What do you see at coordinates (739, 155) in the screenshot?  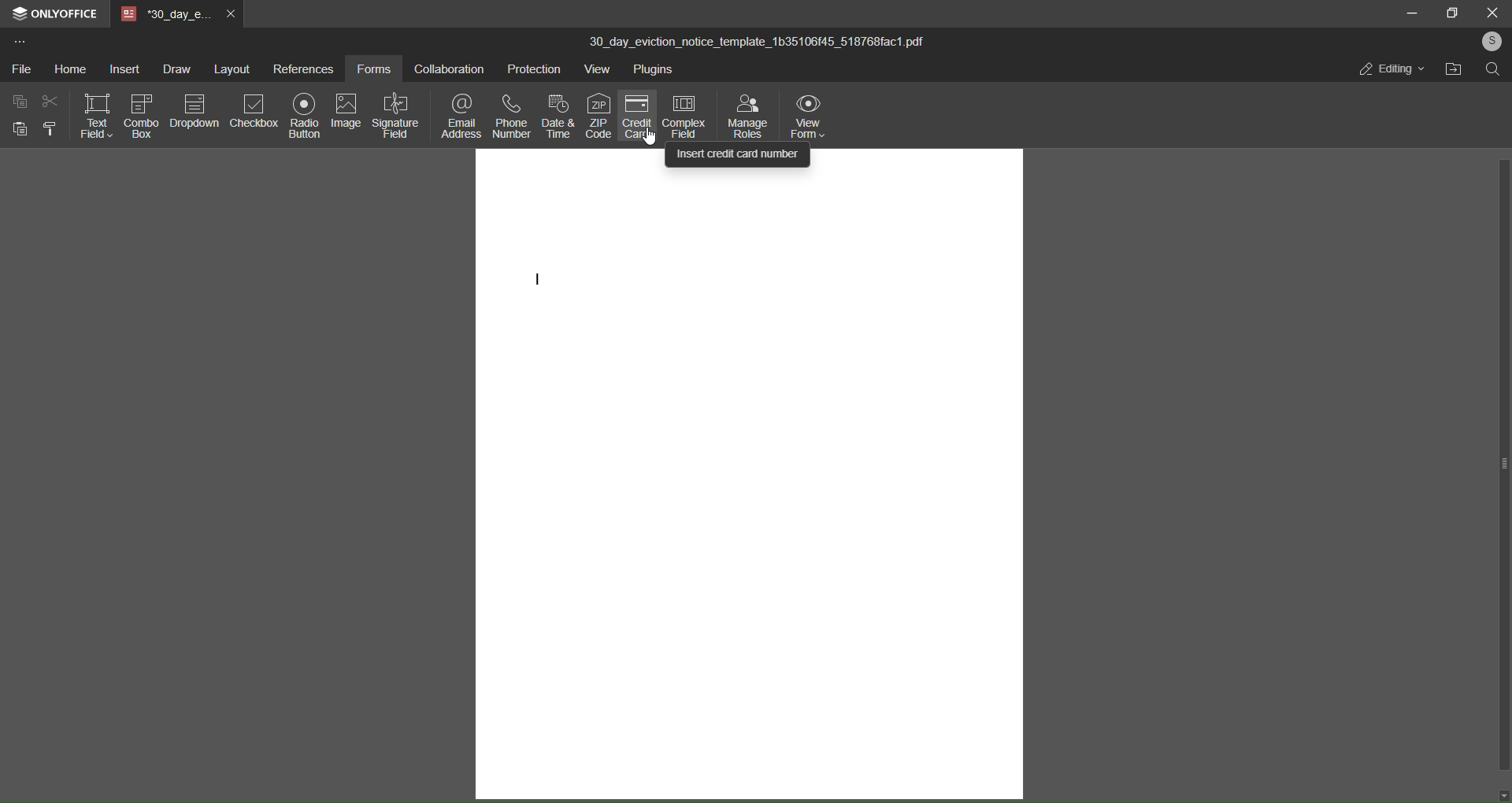 I see `insert credit card number` at bounding box center [739, 155].